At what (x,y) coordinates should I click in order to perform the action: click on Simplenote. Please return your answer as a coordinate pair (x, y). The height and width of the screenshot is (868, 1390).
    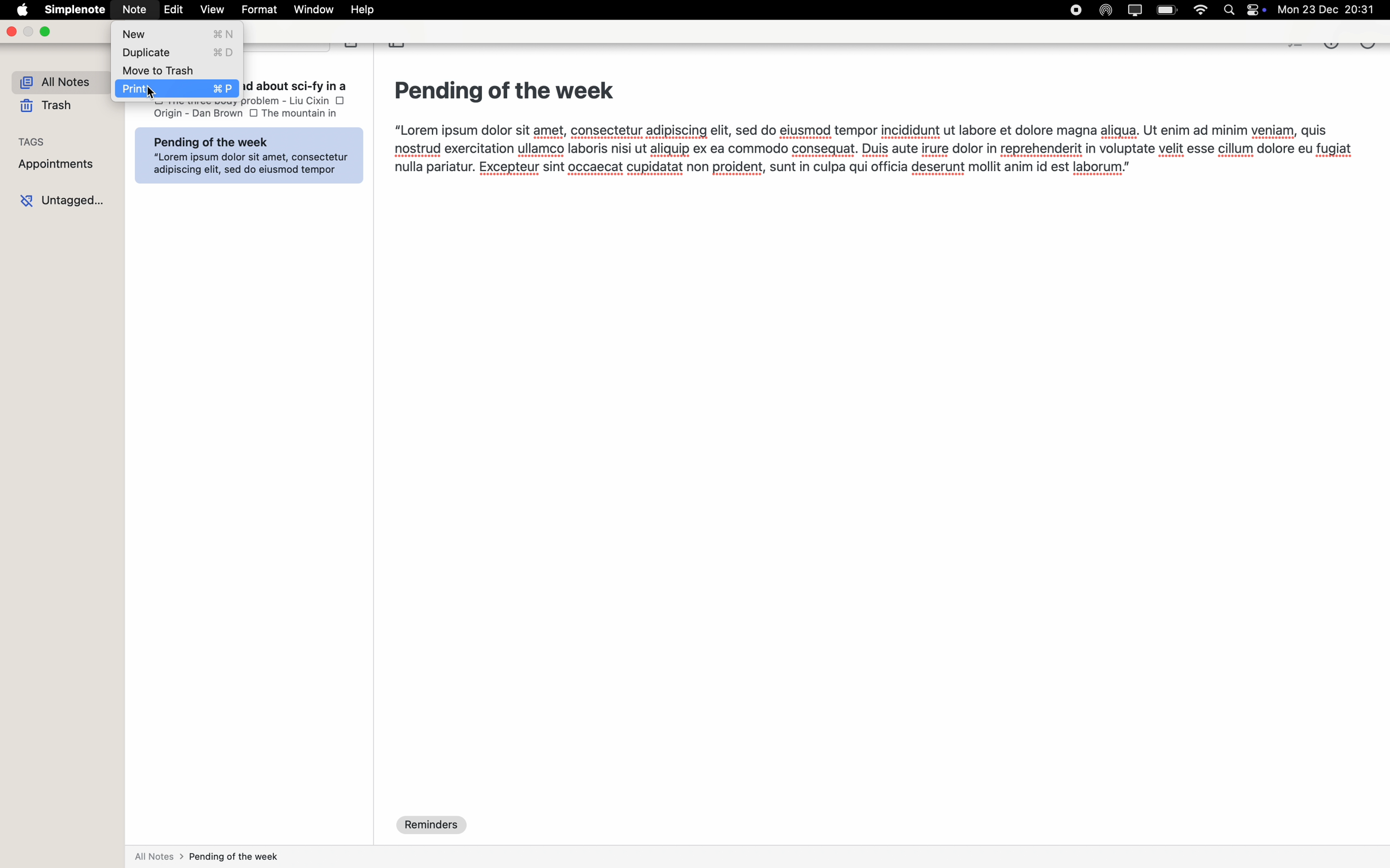
    Looking at the image, I should click on (76, 9).